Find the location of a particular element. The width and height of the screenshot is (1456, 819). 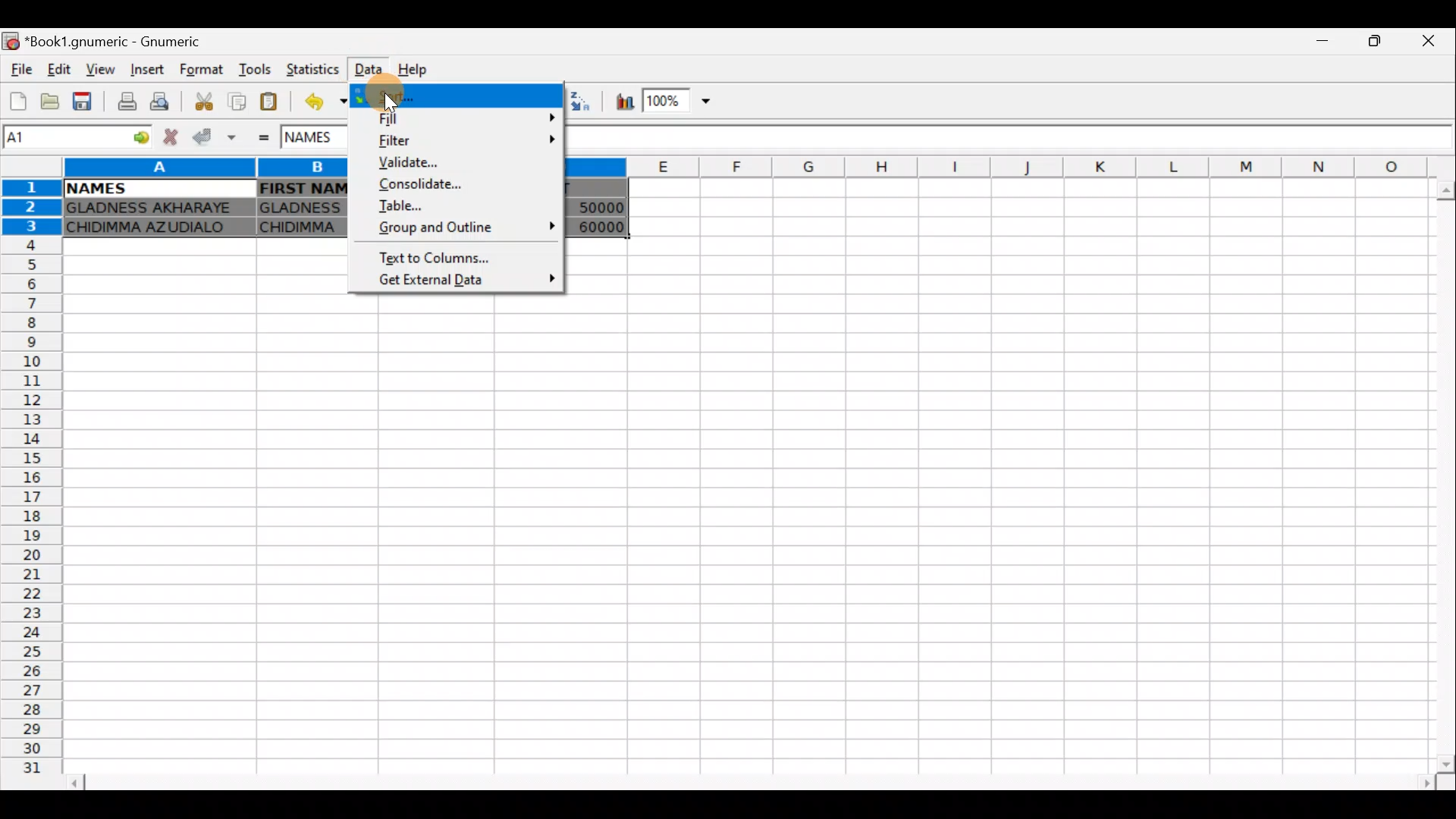

Open a file is located at coordinates (52, 101).